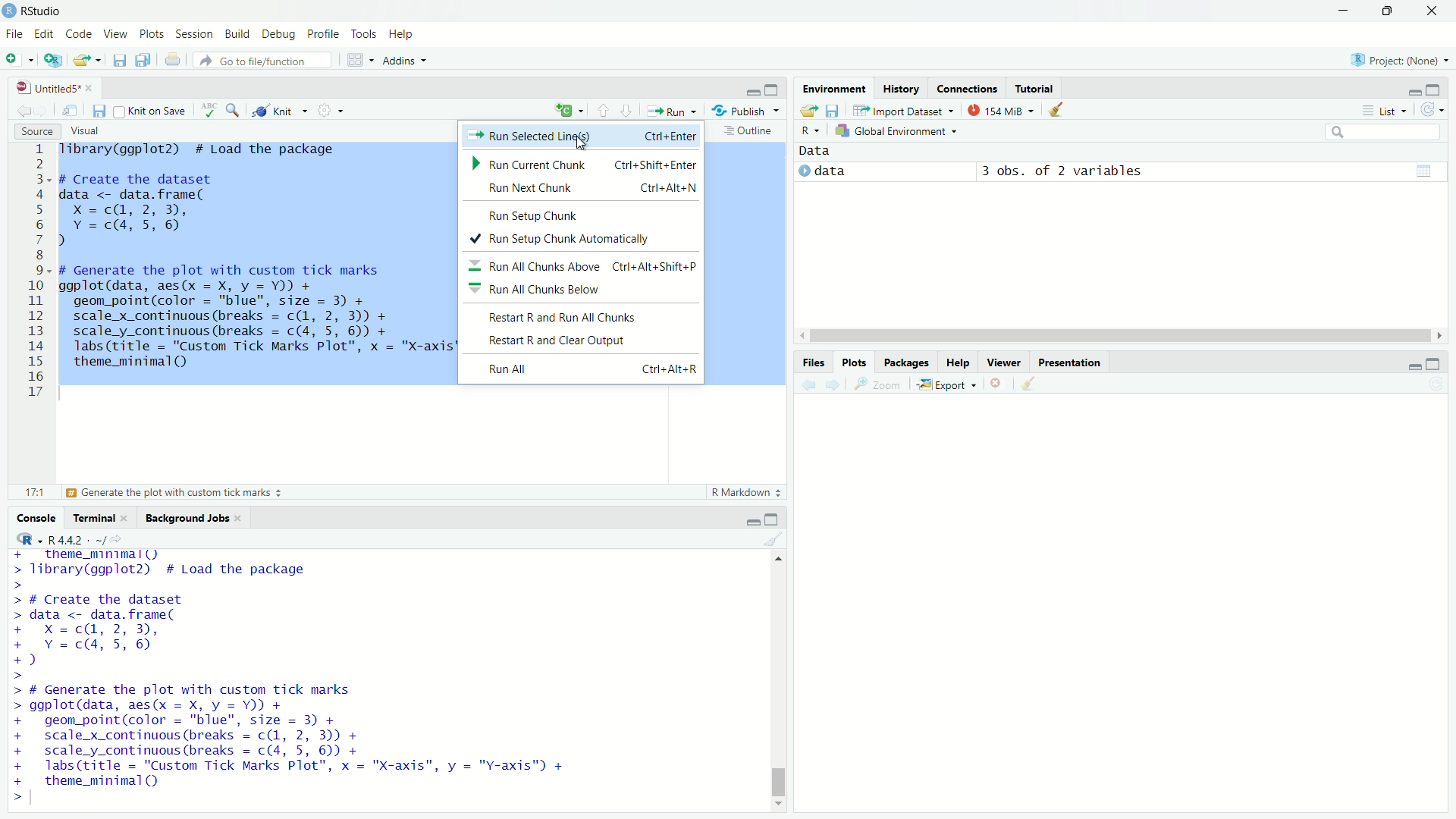 The height and width of the screenshot is (819, 1456). What do you see at coordinates (80, 35) in the screenshot?
I see `code` at bounding box center [80, 35].